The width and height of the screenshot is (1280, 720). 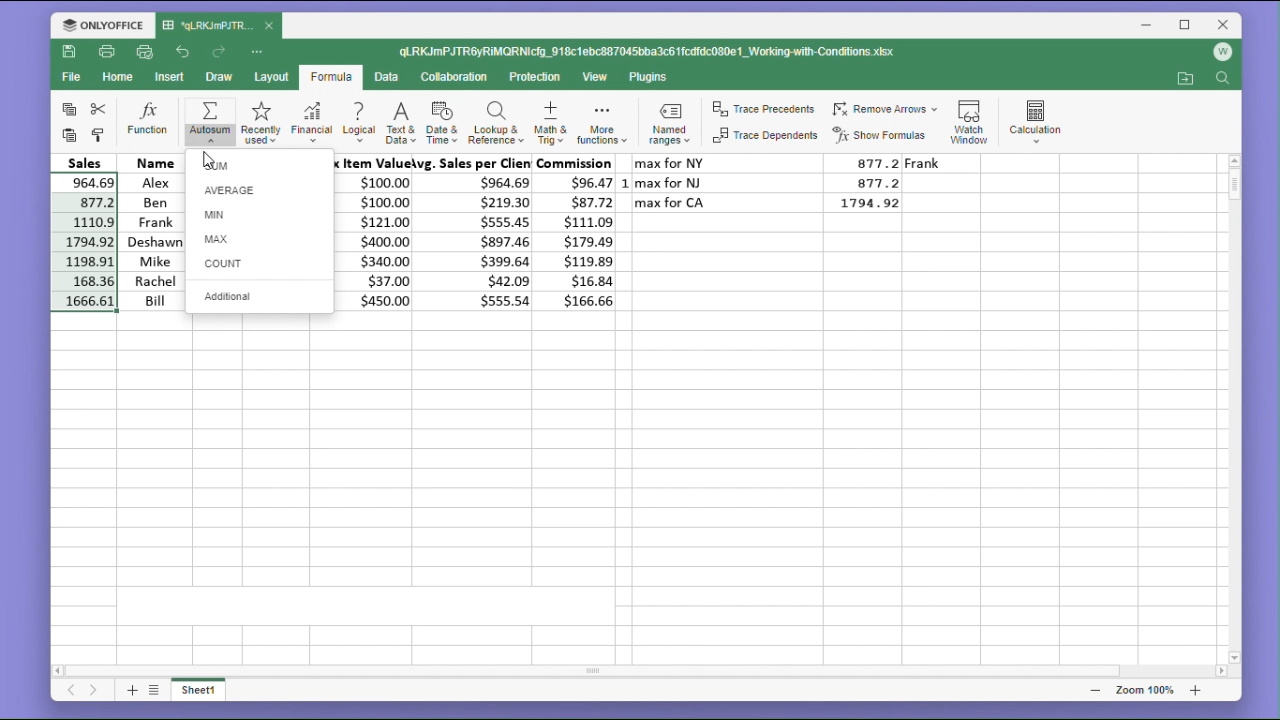 What do you see at coordinates (1225, 80) in the screenshot?
I see `find` at bounding box center [1225, 80].